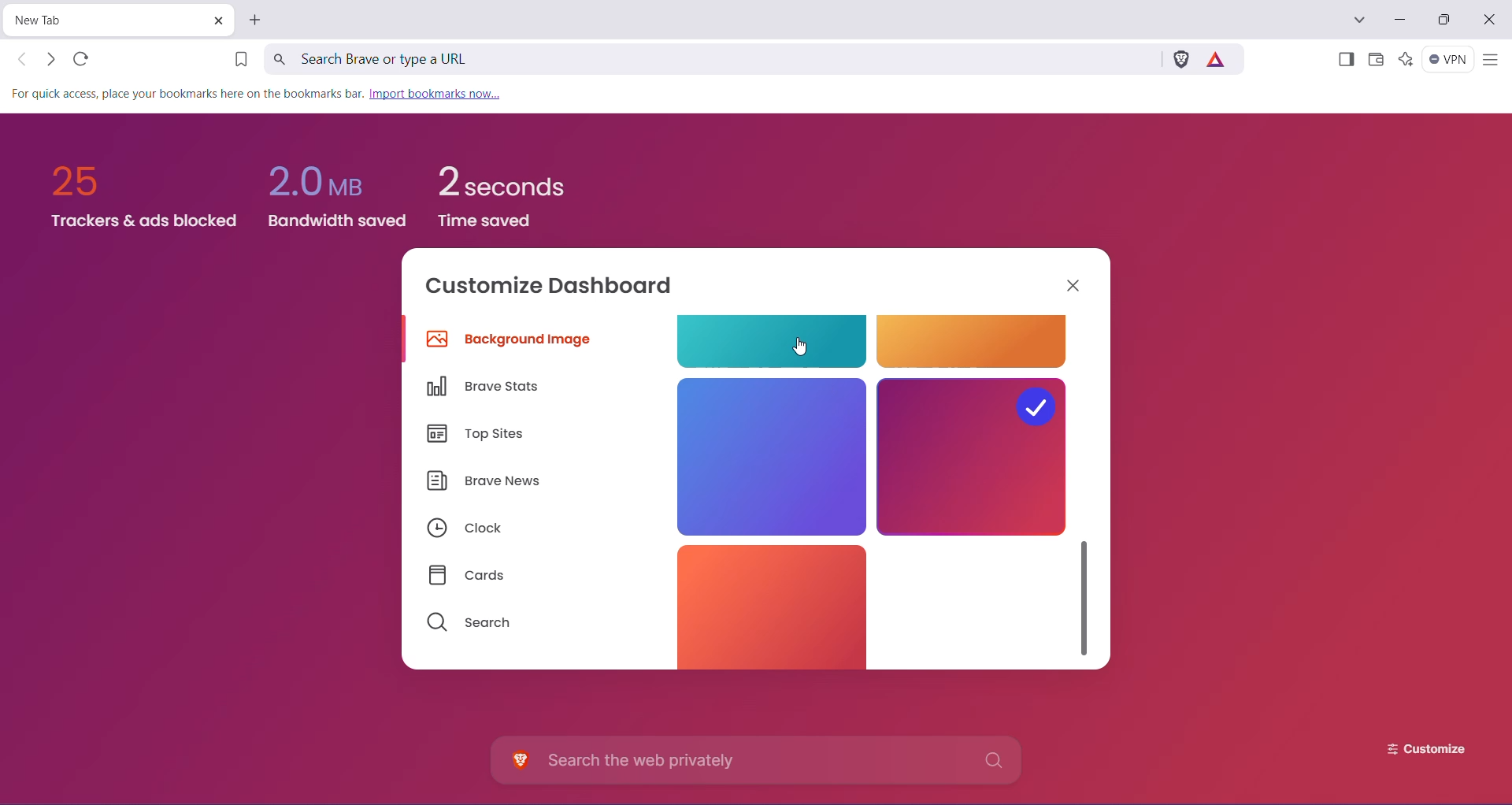 The width and height of the screenshot is (1512, 805). What do you see at coordinates (341, 189) in the screenshot?
I see `2.0 Bandwidth saved` at bounding box center [341, 189].